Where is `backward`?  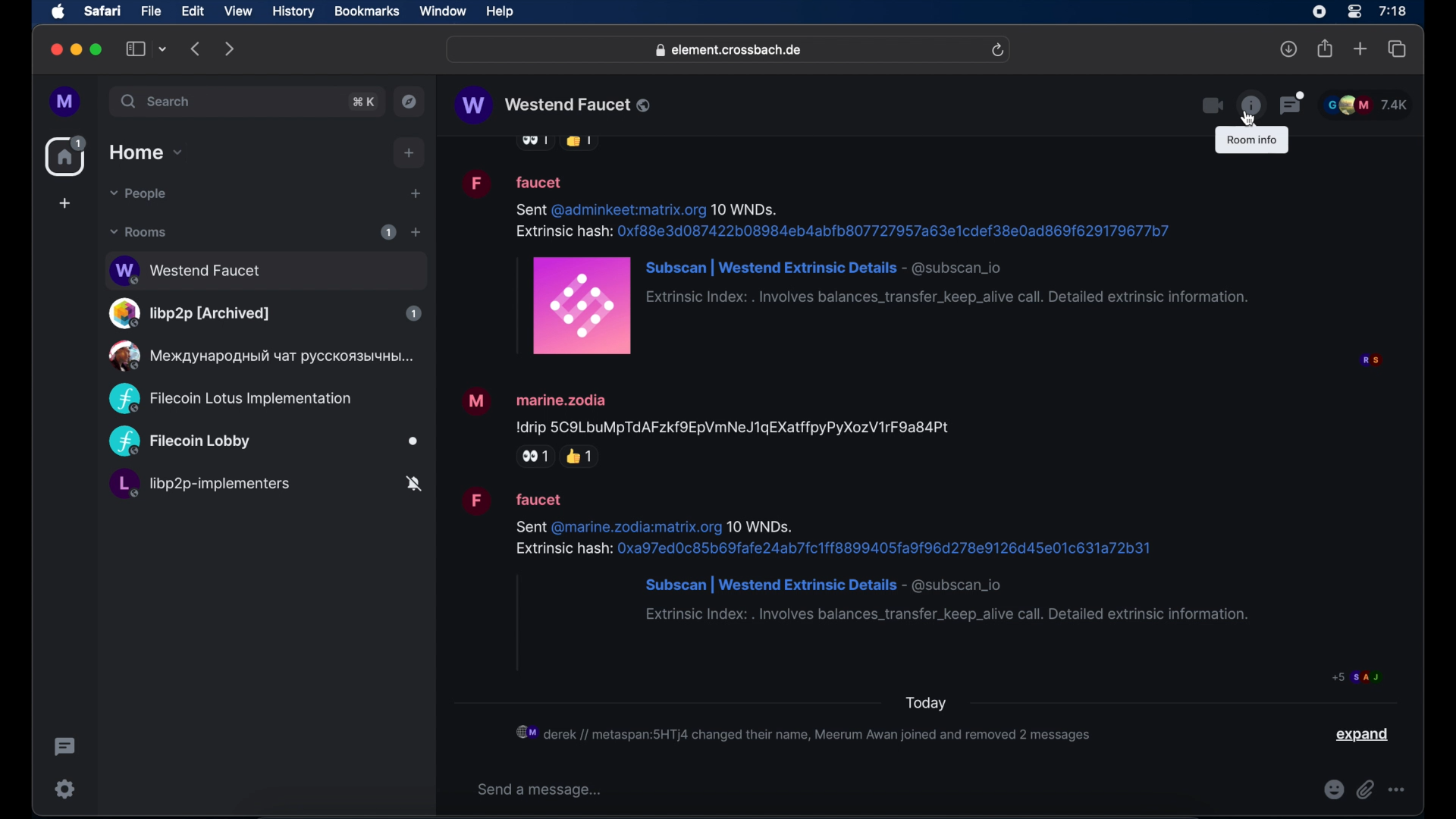
backward is located at coordinates (196, 49).